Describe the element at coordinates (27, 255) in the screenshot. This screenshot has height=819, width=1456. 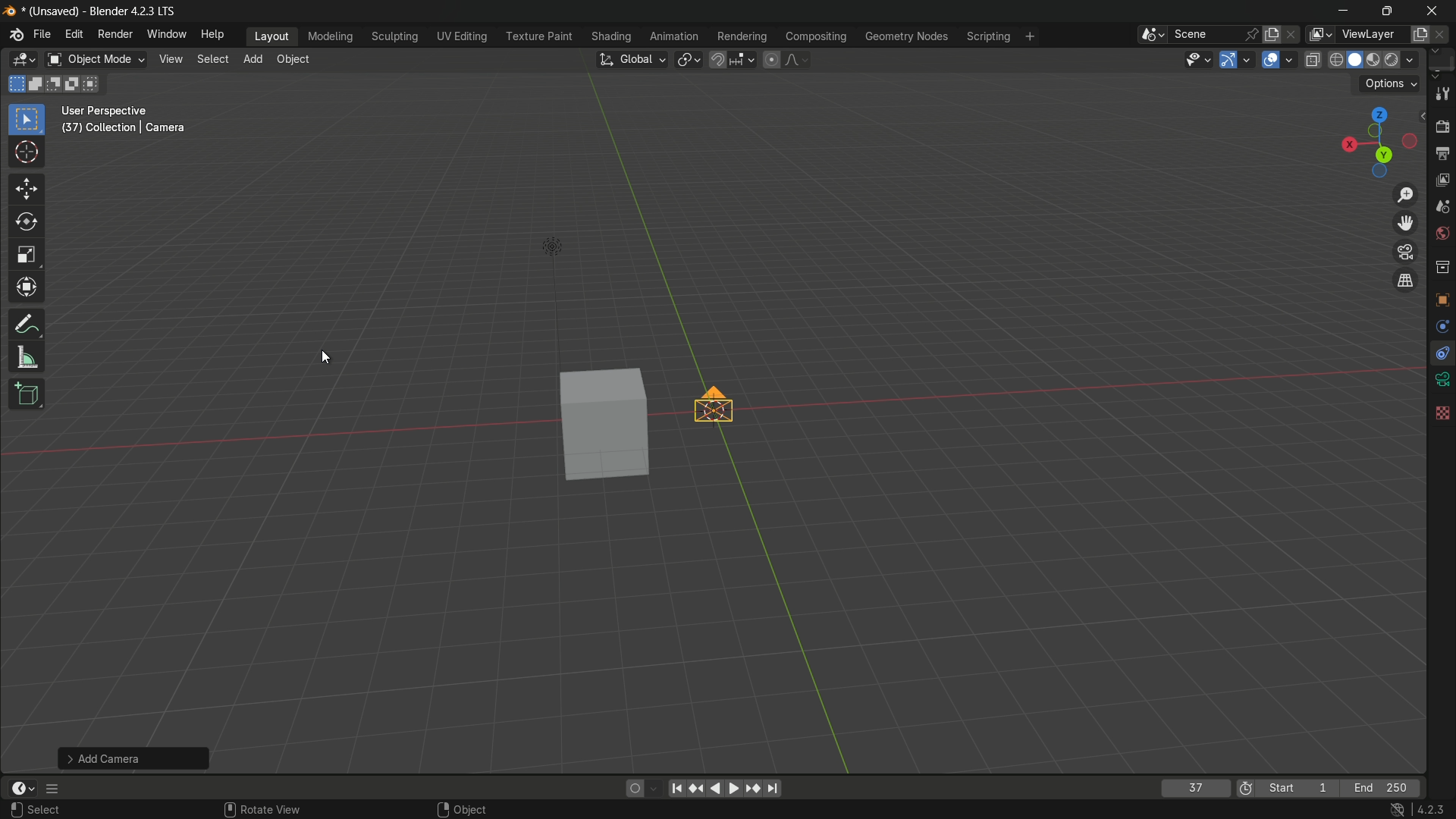
I see `scale` at that location.